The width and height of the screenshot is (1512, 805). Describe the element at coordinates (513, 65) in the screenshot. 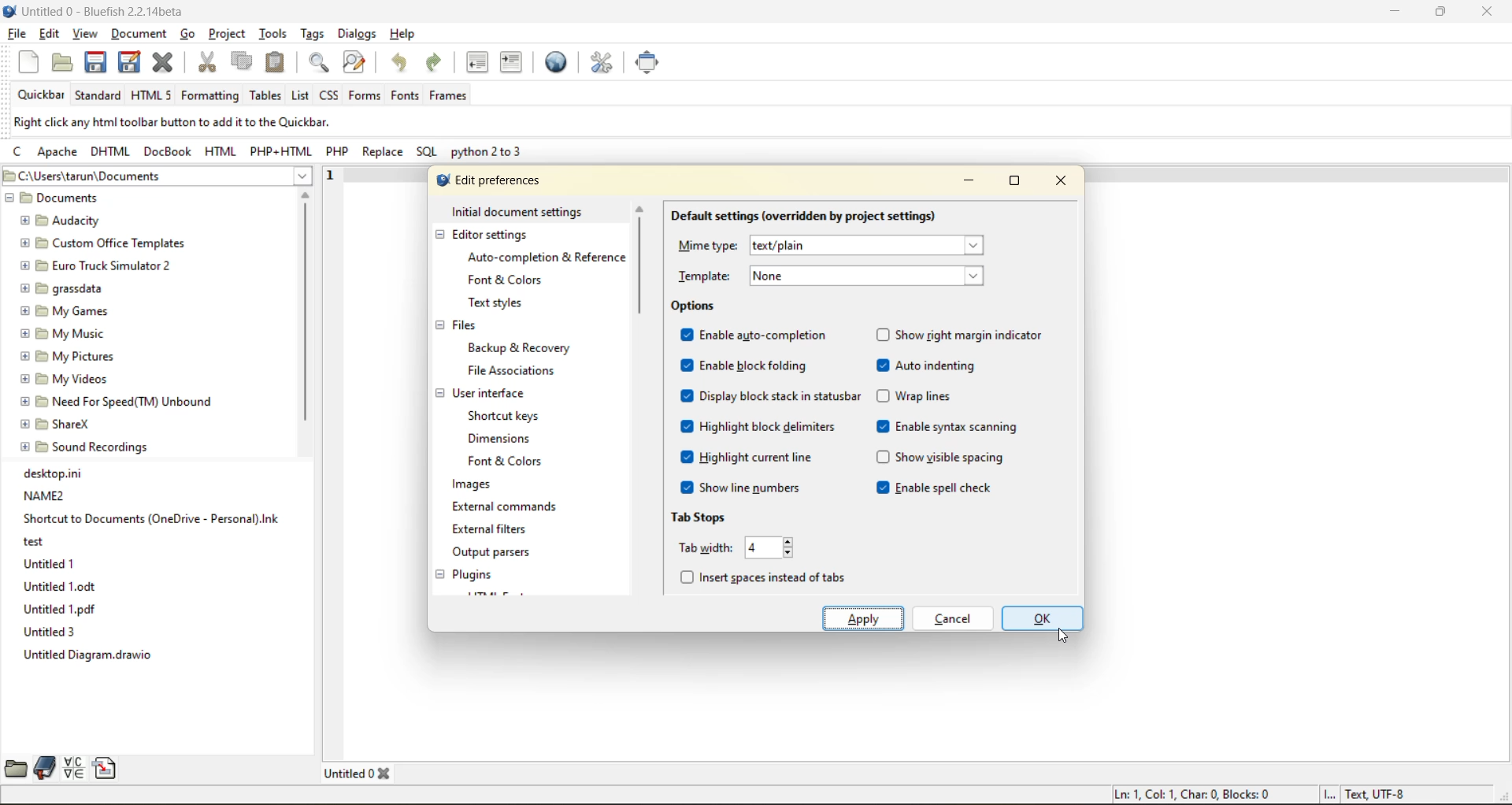

I see `indent` at that location.